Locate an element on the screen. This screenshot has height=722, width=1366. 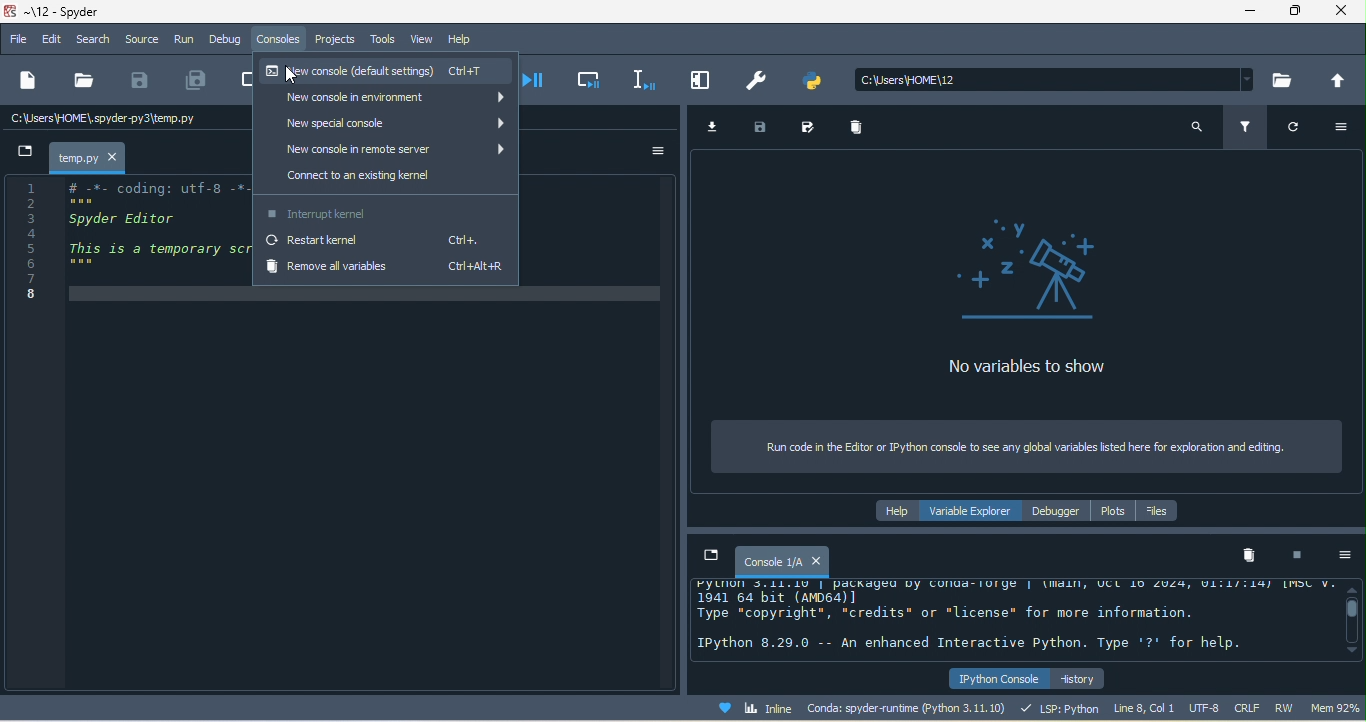
search is located at coordinates (93, 38).